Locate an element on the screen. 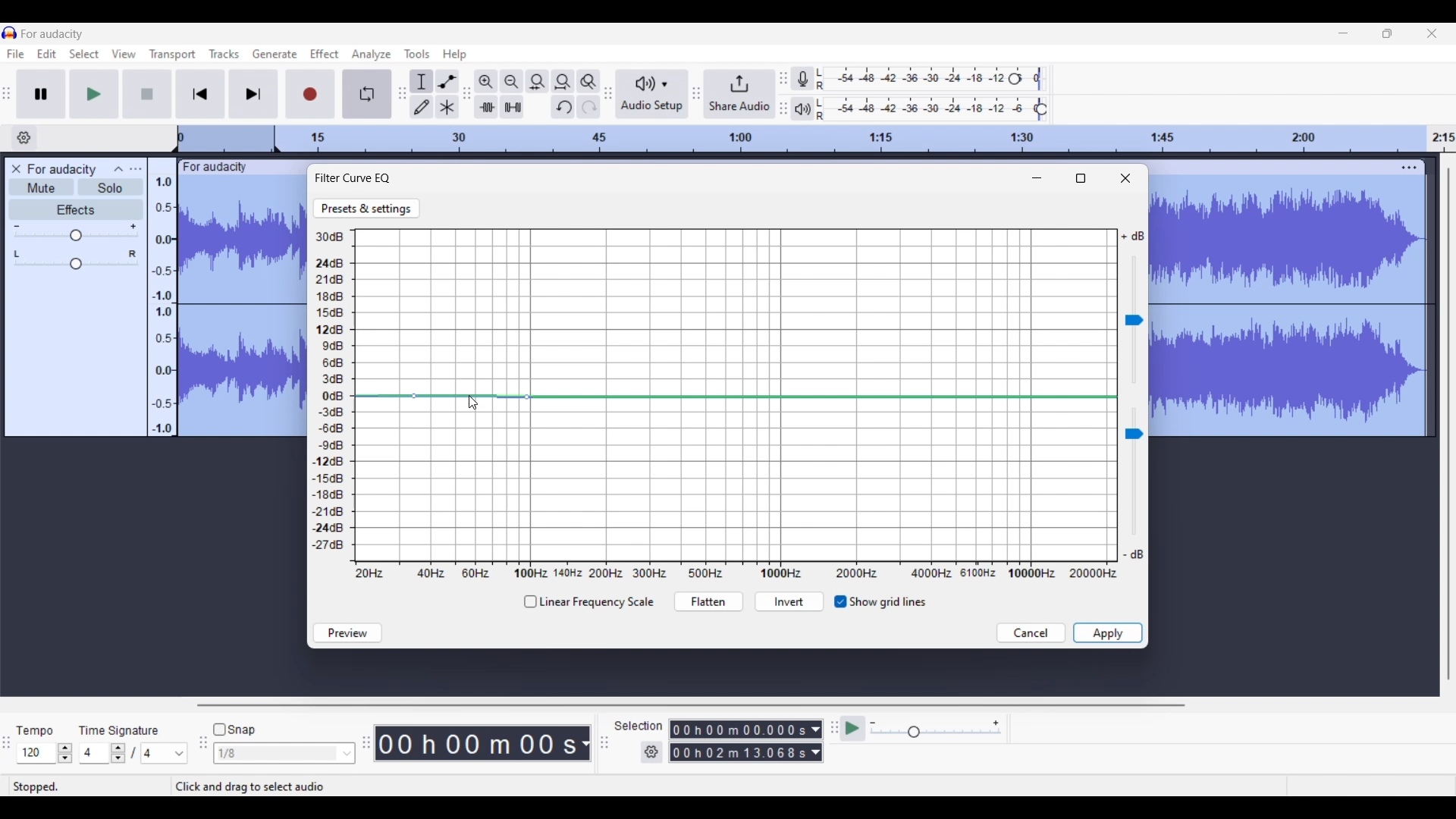 The image size is (1456, 819). Recording level is located at coordinates (915, 79).